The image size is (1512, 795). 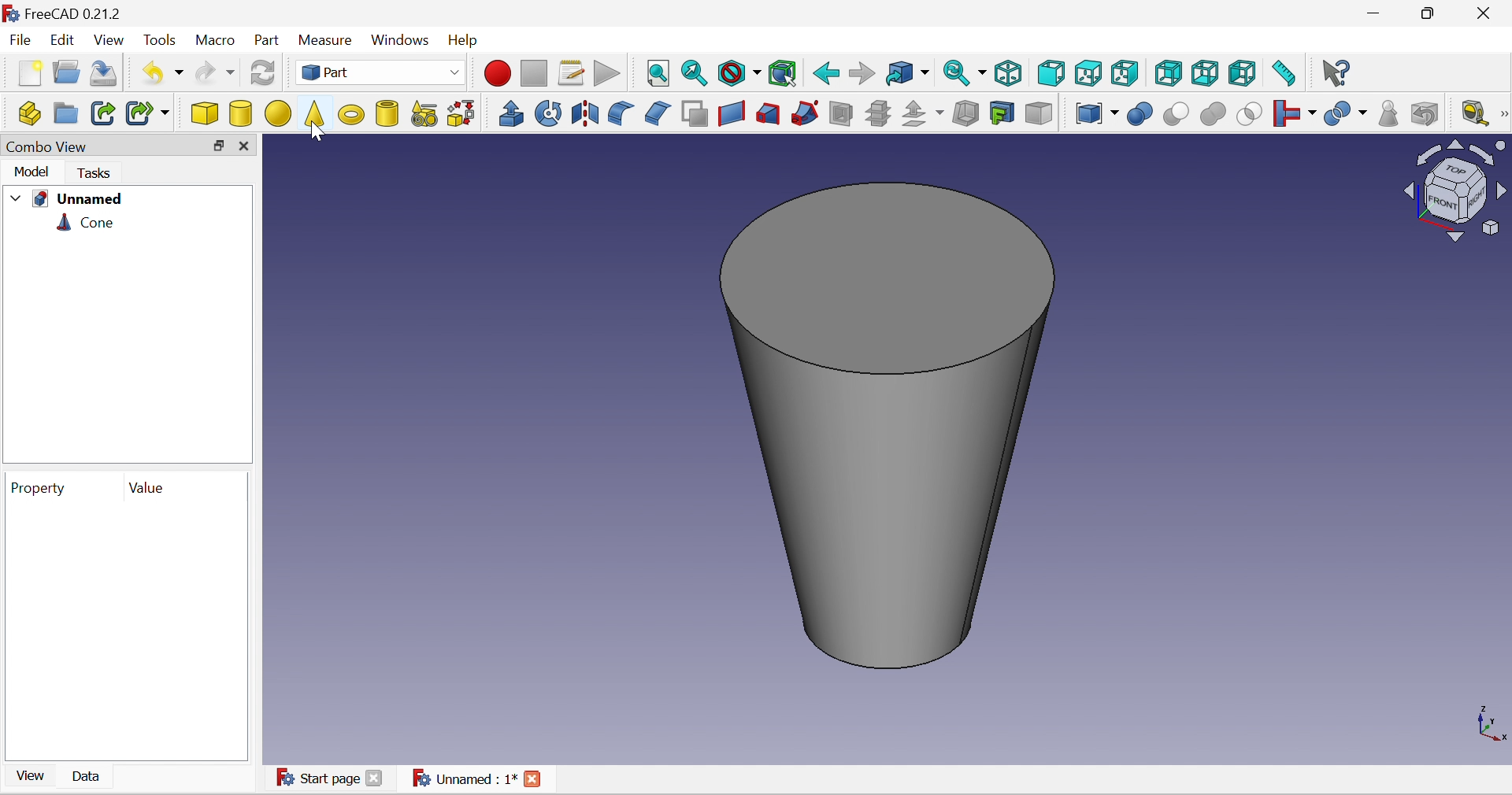 What do you see at coordinates (619, 113) in the screenshot?
I see `Fillet` at bounding box center [619, 113].